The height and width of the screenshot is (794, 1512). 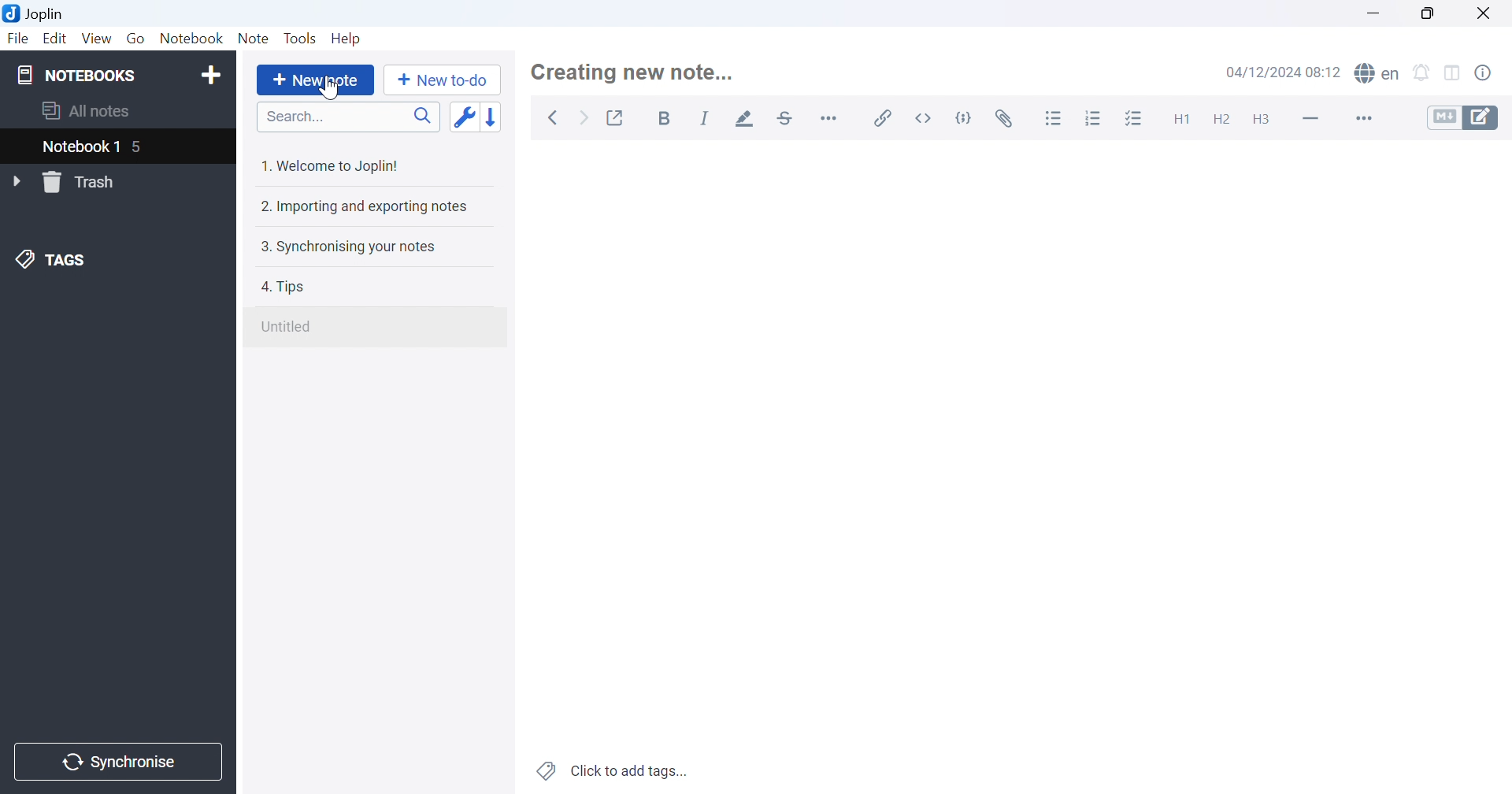 I want to click on Bulleted list, so click(x=1056, y=119).